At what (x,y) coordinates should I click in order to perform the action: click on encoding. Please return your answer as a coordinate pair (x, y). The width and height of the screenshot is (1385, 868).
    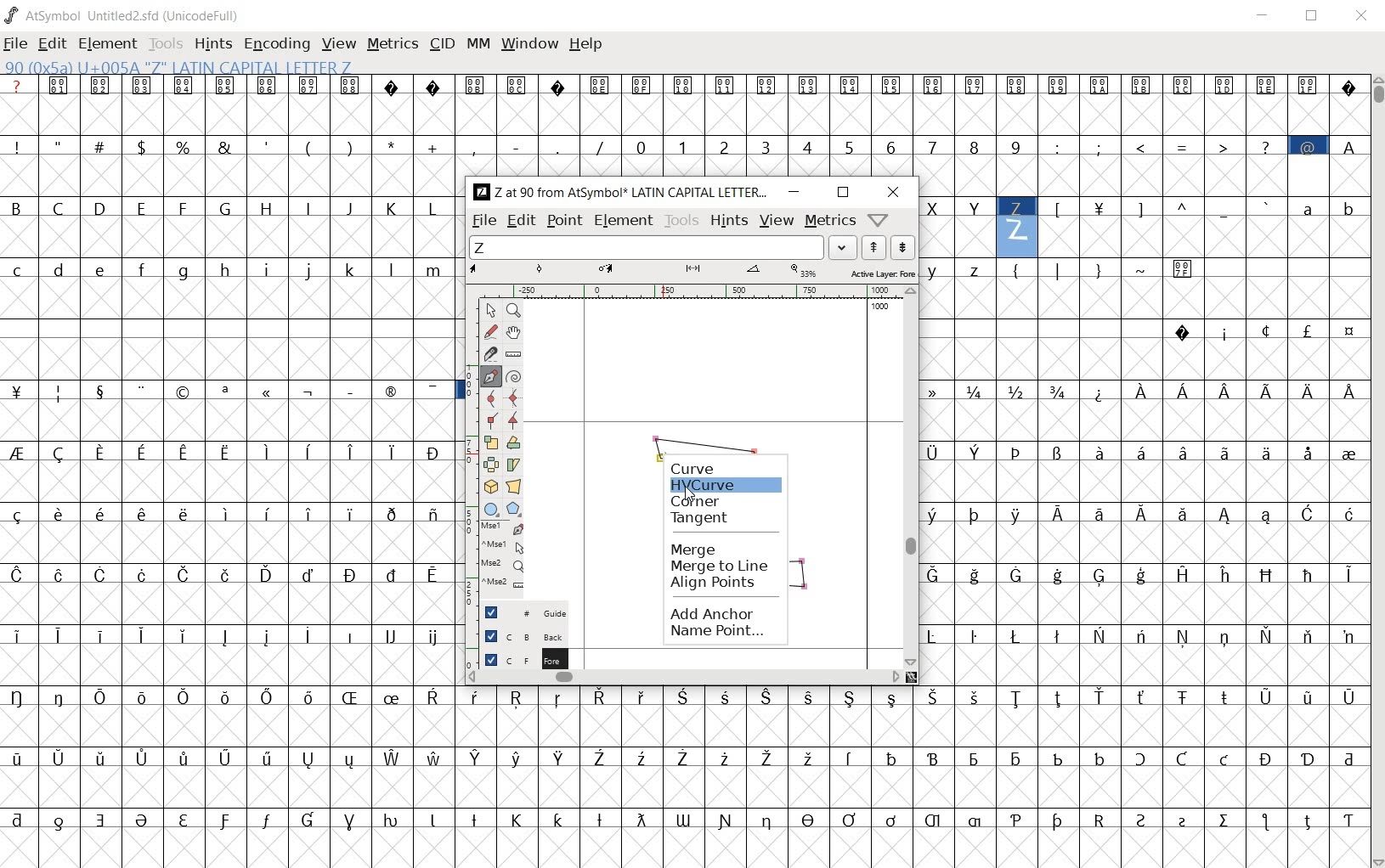
    Looking at the image, I should click on (275, 44).